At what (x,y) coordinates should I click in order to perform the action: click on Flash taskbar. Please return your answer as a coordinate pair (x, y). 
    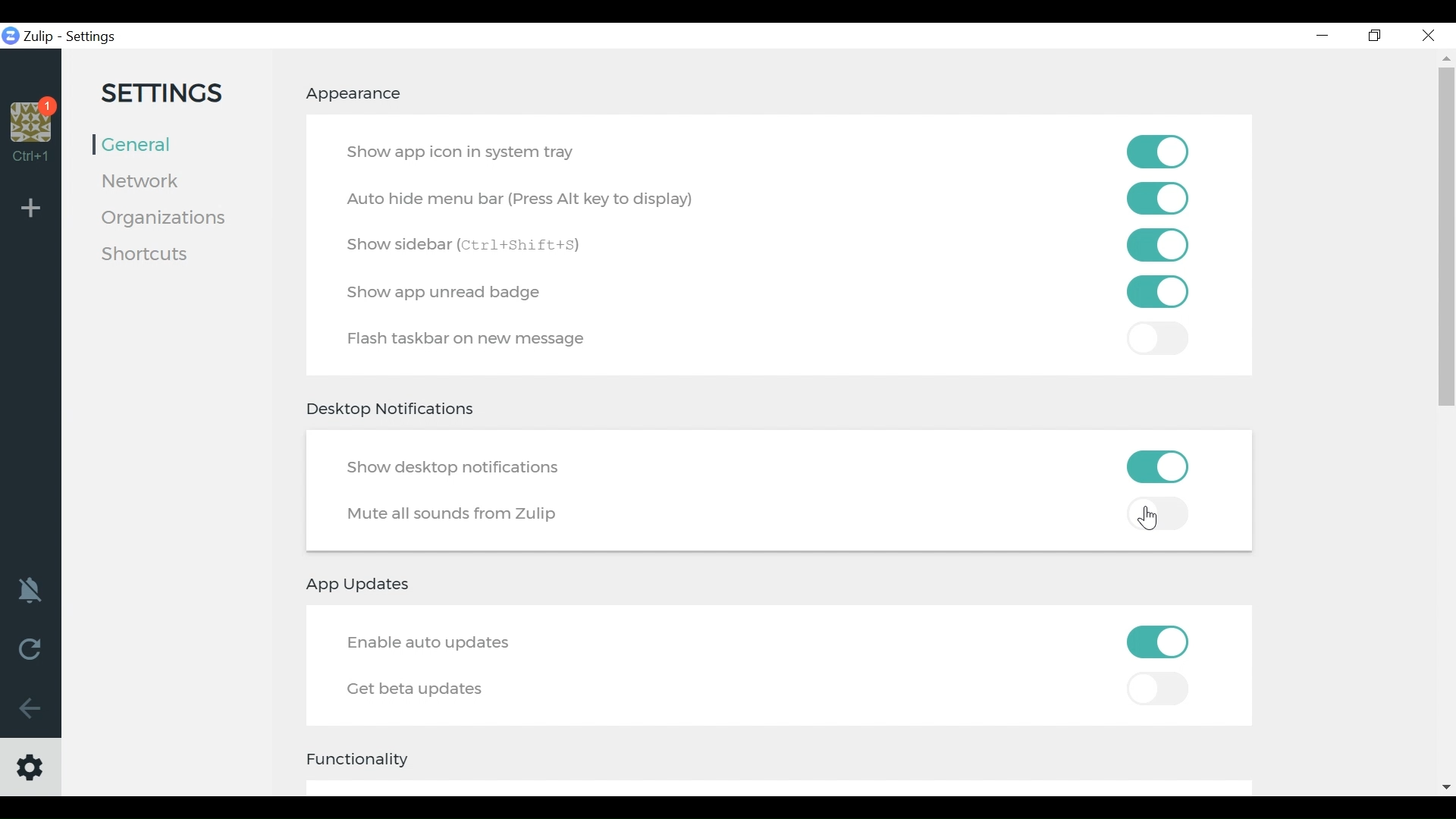
    Looking at the image, I should click on (472, 342).